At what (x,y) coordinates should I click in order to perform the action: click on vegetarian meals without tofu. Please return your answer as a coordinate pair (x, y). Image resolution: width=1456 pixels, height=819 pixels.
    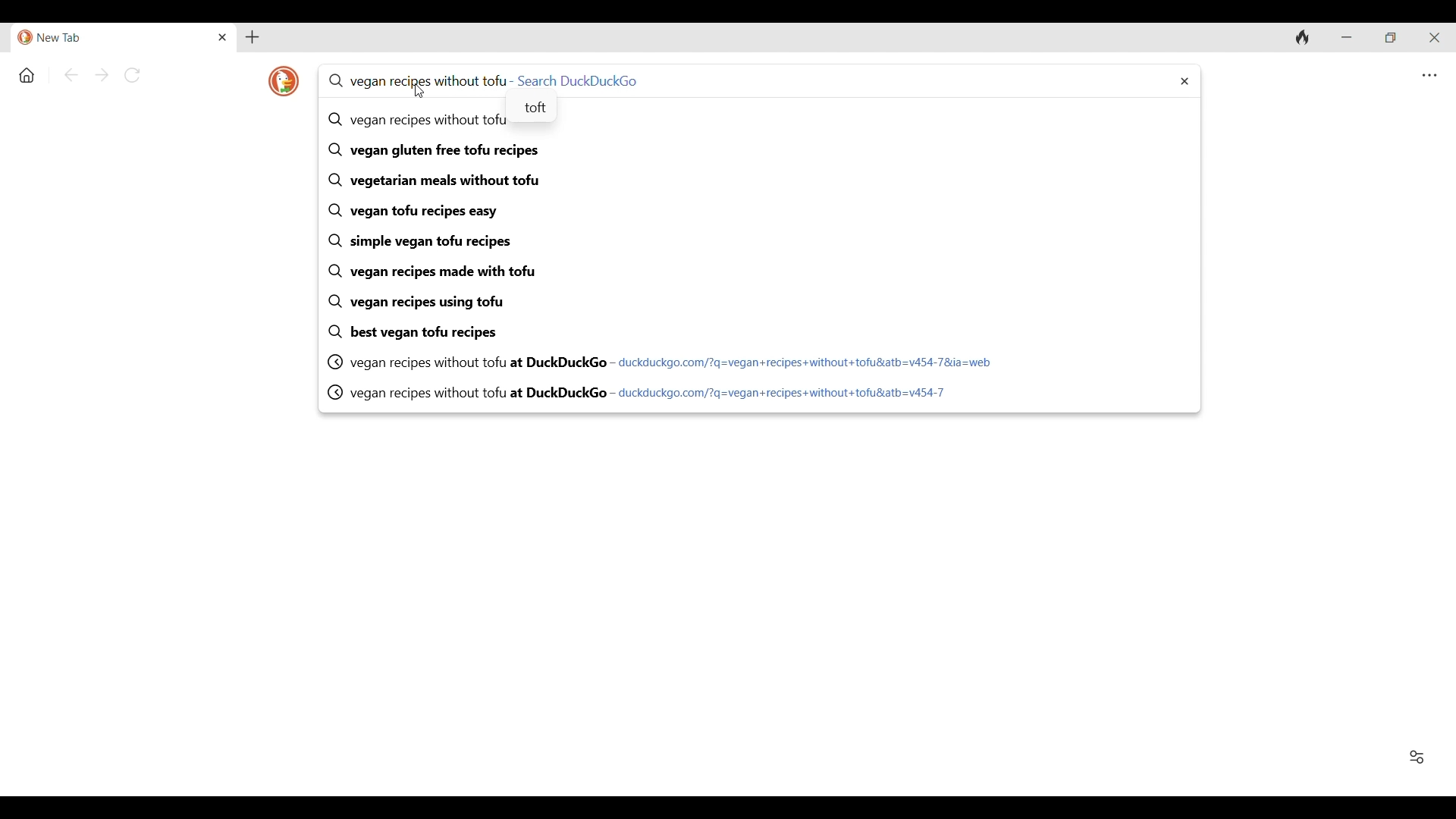
    Looking at the image, I should click on (758, 181).